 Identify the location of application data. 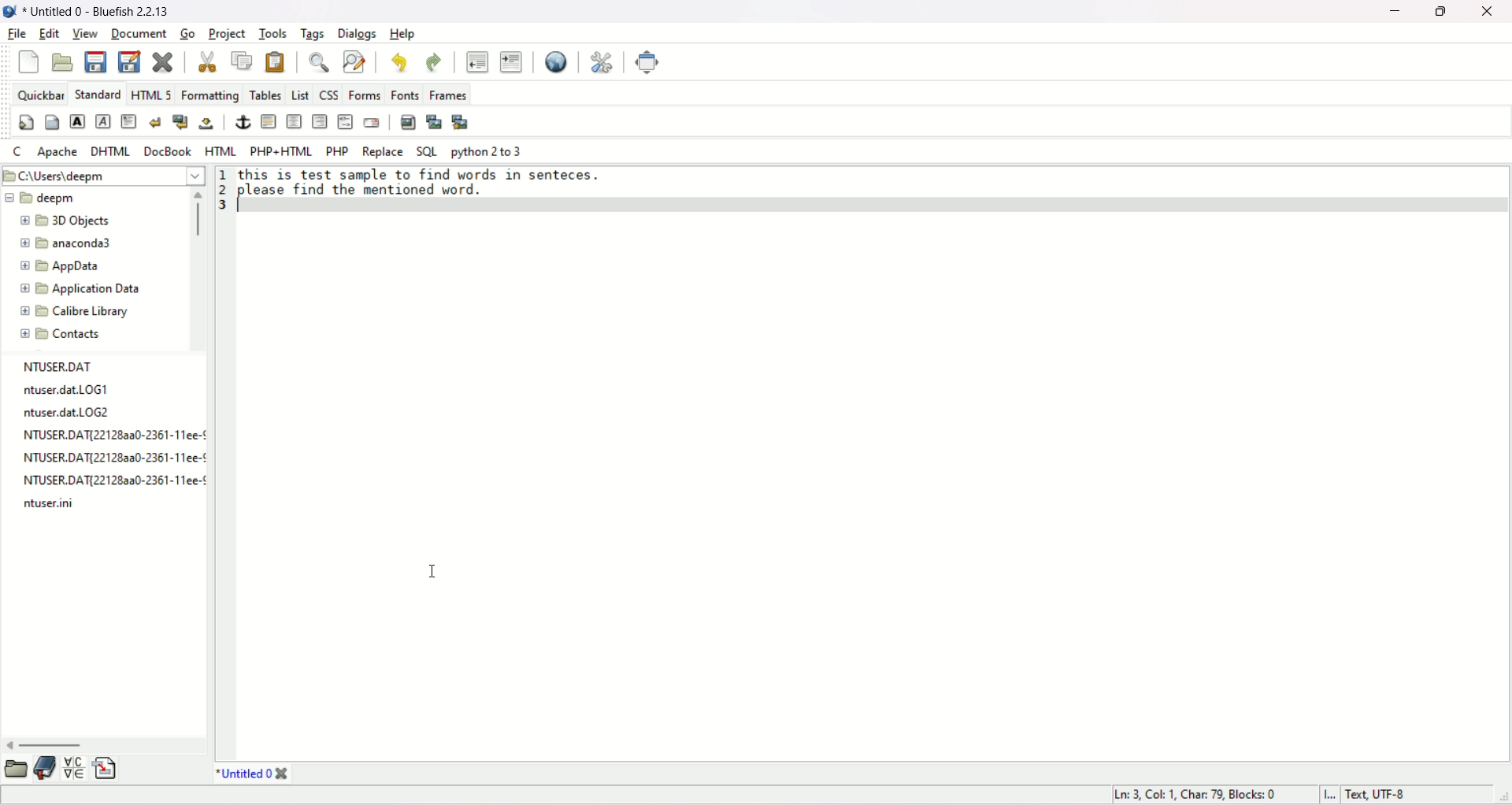
(84, 289).